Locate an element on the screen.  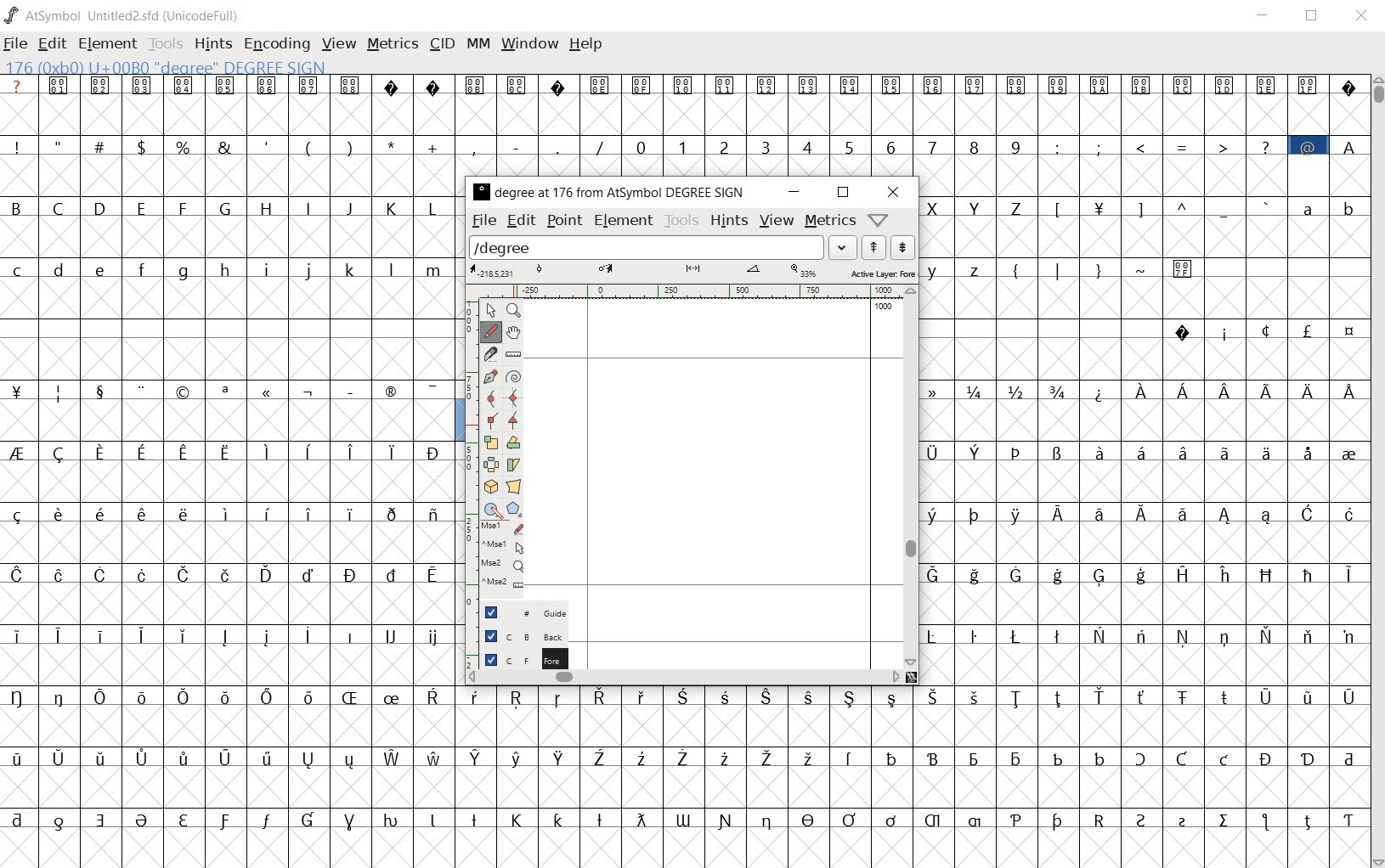
special letters is located at coordinates (913, 698).